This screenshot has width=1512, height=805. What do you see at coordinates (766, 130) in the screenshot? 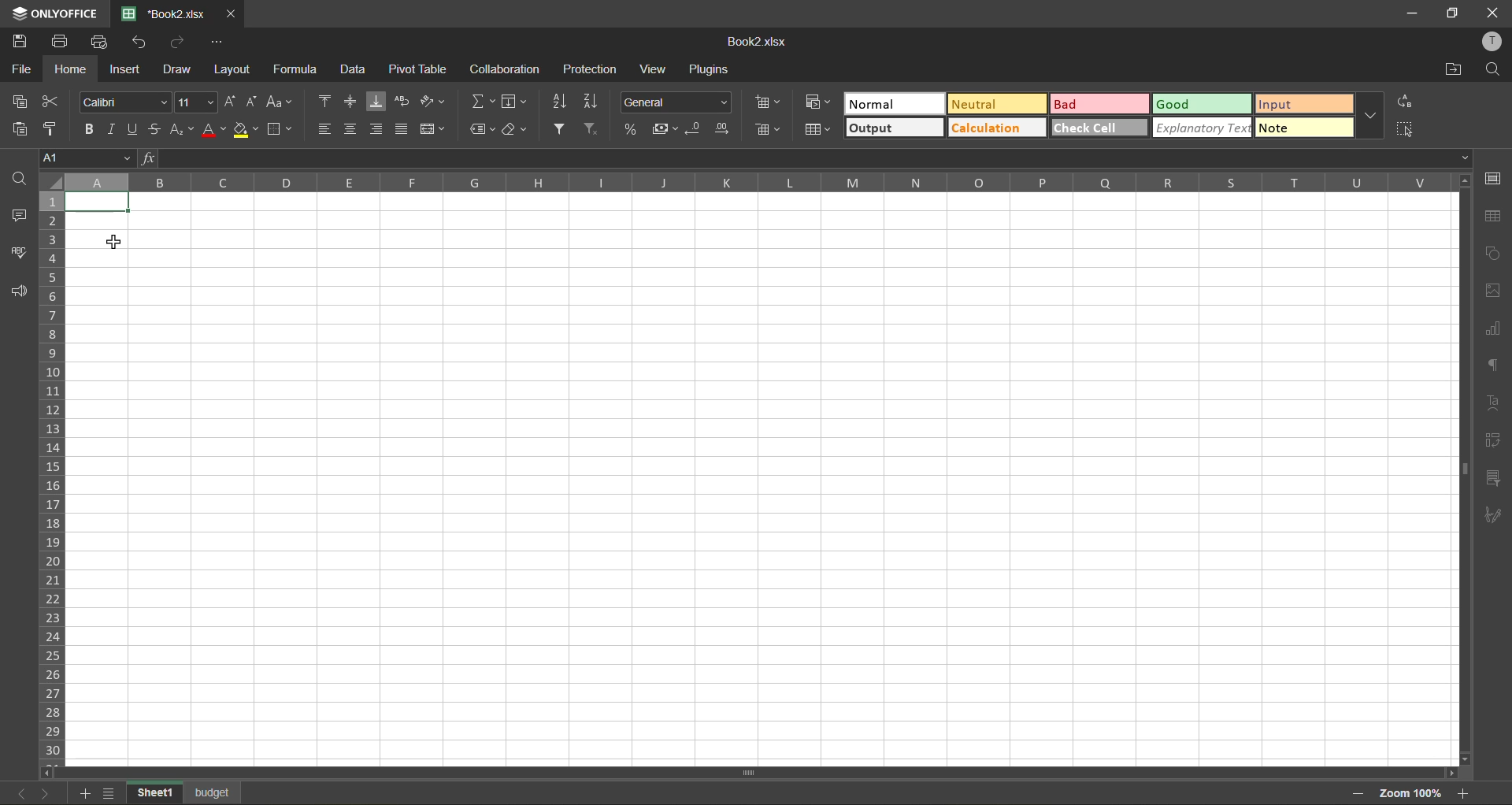
I see `delete cells ` at bounding box center [766, 130].